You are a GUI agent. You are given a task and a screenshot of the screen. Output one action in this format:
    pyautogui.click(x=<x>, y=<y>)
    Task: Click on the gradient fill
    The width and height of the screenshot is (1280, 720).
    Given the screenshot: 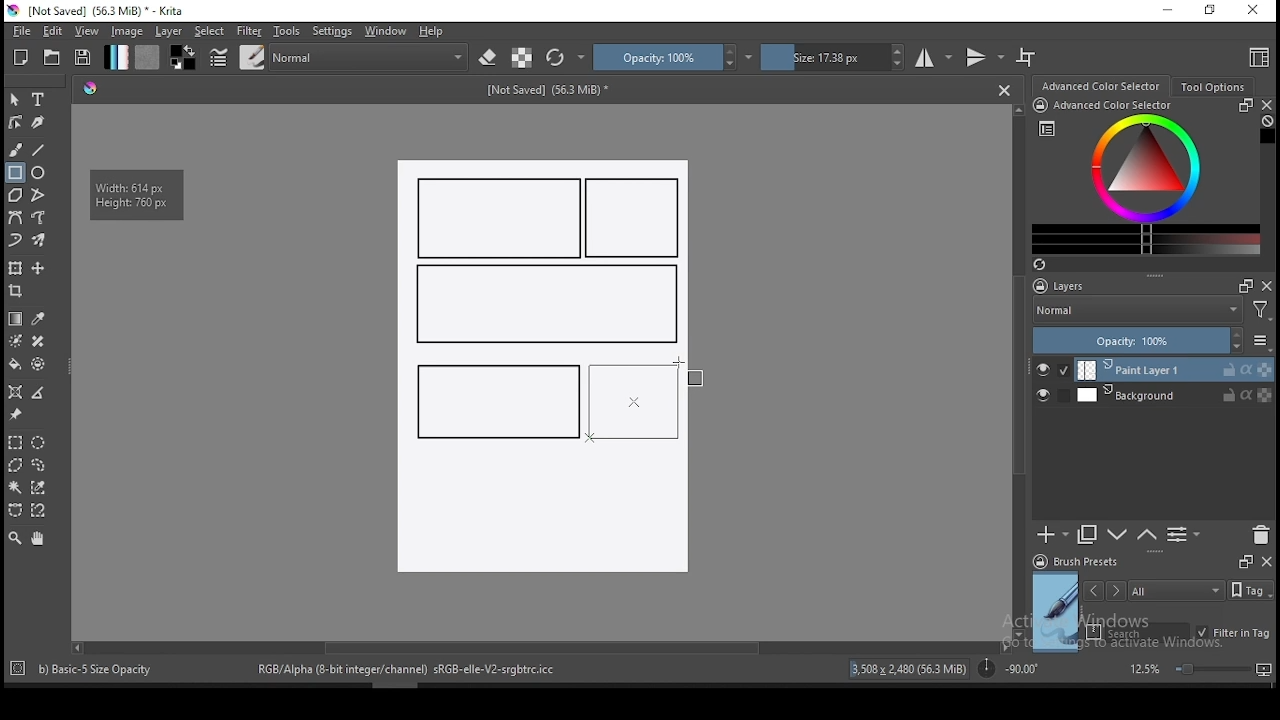 What is the action you would take?
    pyautogui.click(x=116, y=57)
    